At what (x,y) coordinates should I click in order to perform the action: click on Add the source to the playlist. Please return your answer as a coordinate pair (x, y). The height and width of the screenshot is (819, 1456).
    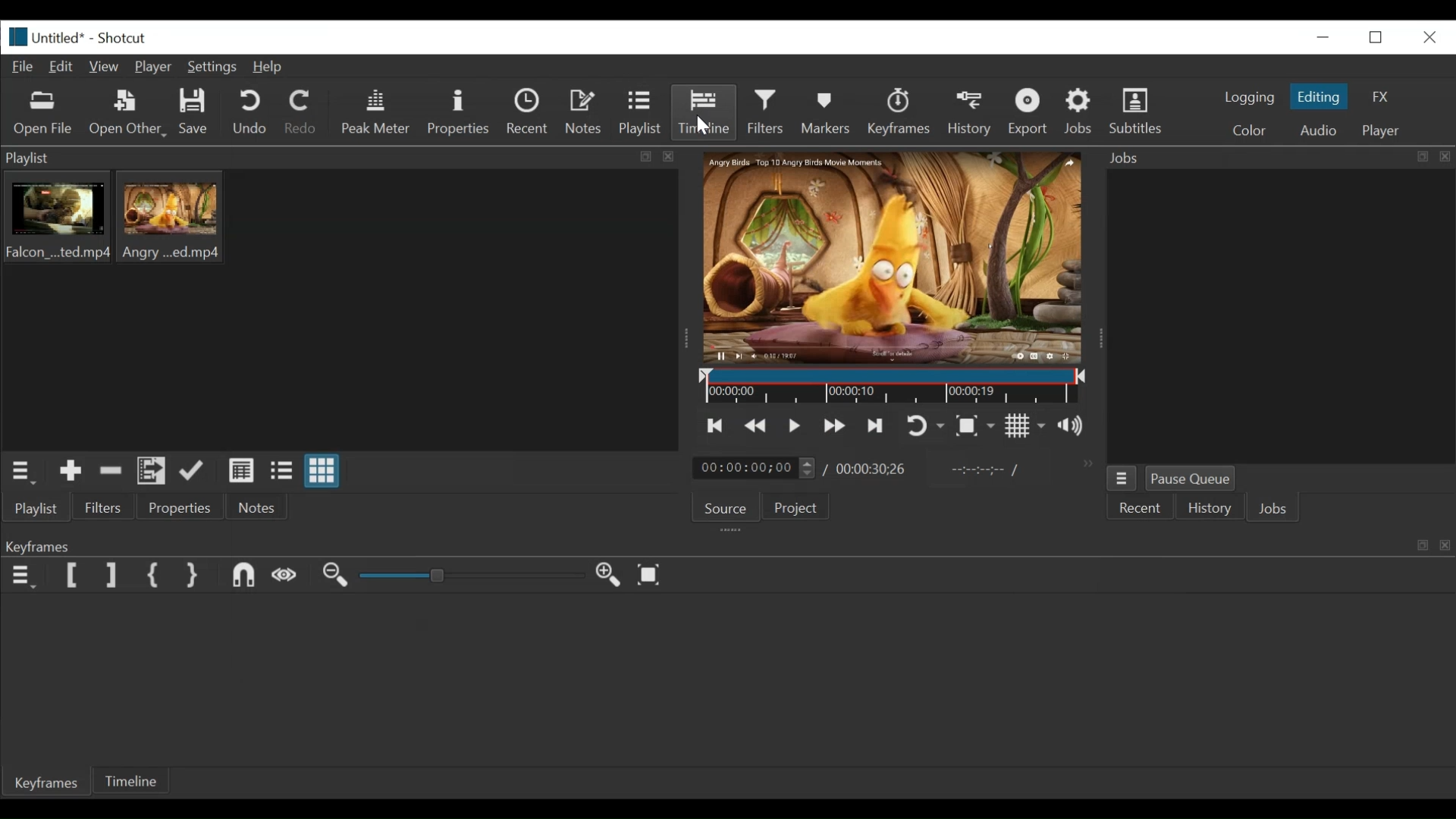
    Looking at the image, I should click on (69, 473).